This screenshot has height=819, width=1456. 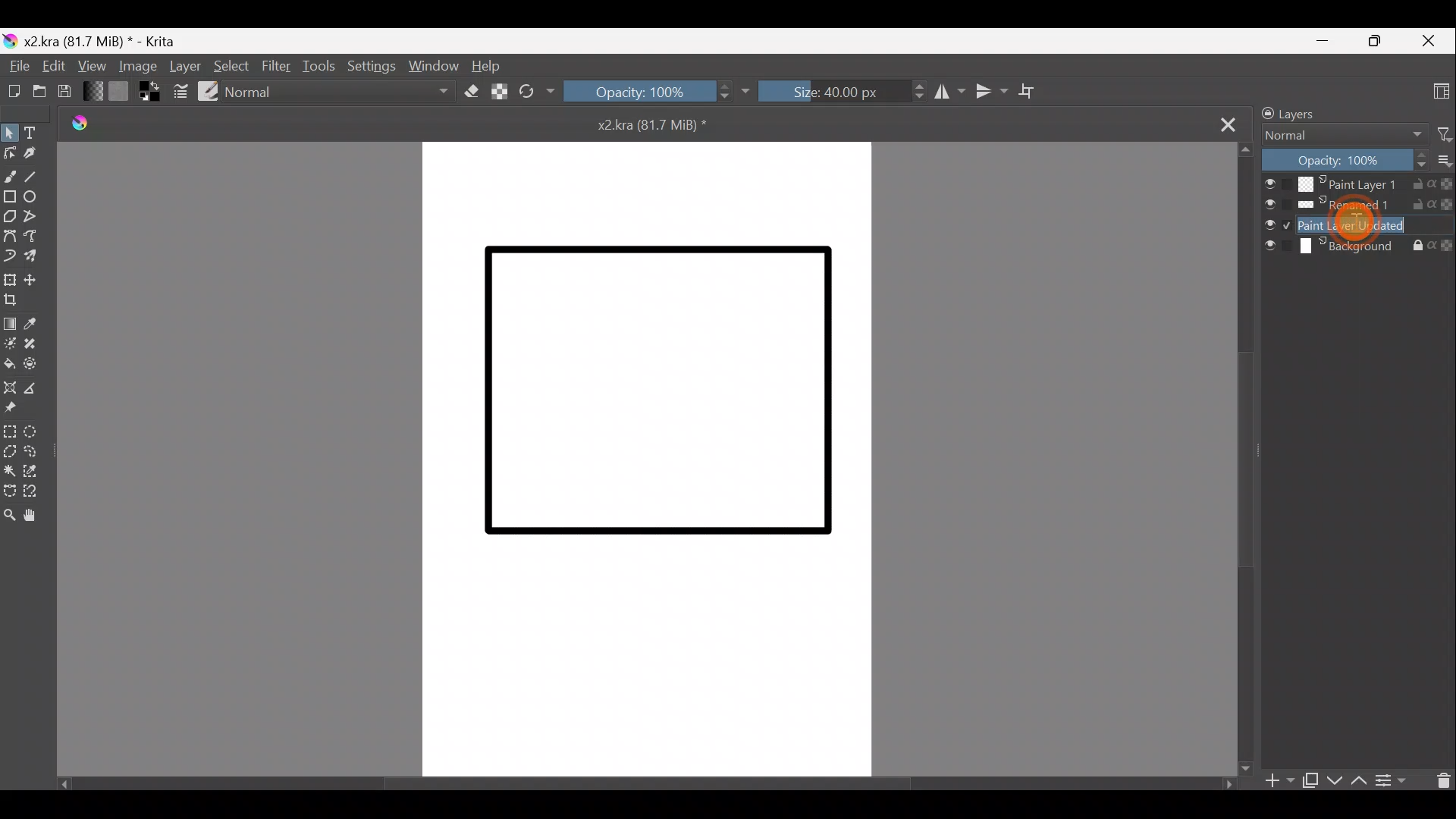 What do you see at coordinates (10, 257) in the screenshot?
I see `Dynamic brush tool` at bounding box center [10, 257].